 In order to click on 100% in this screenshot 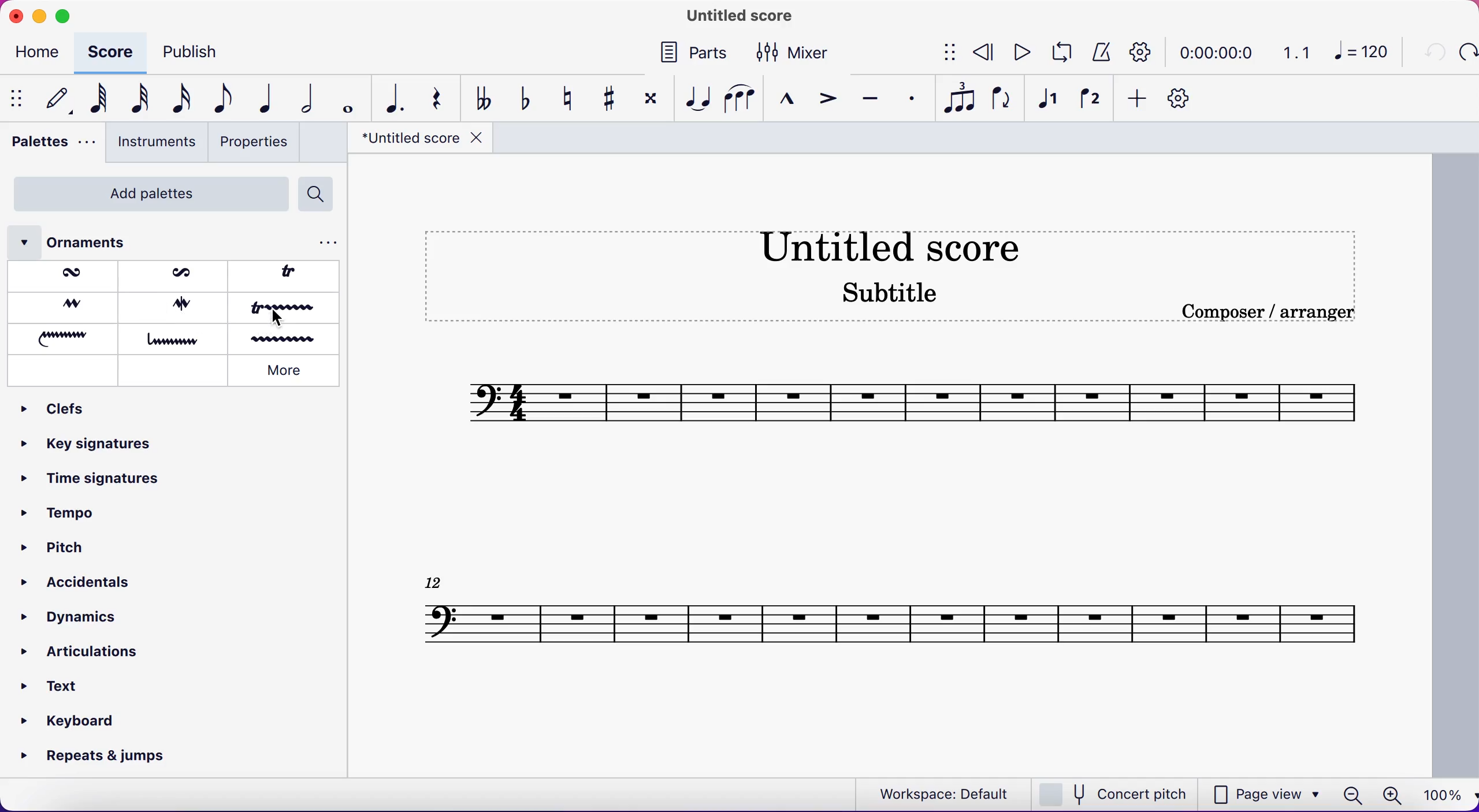, I will do `click(1444, 796)`.